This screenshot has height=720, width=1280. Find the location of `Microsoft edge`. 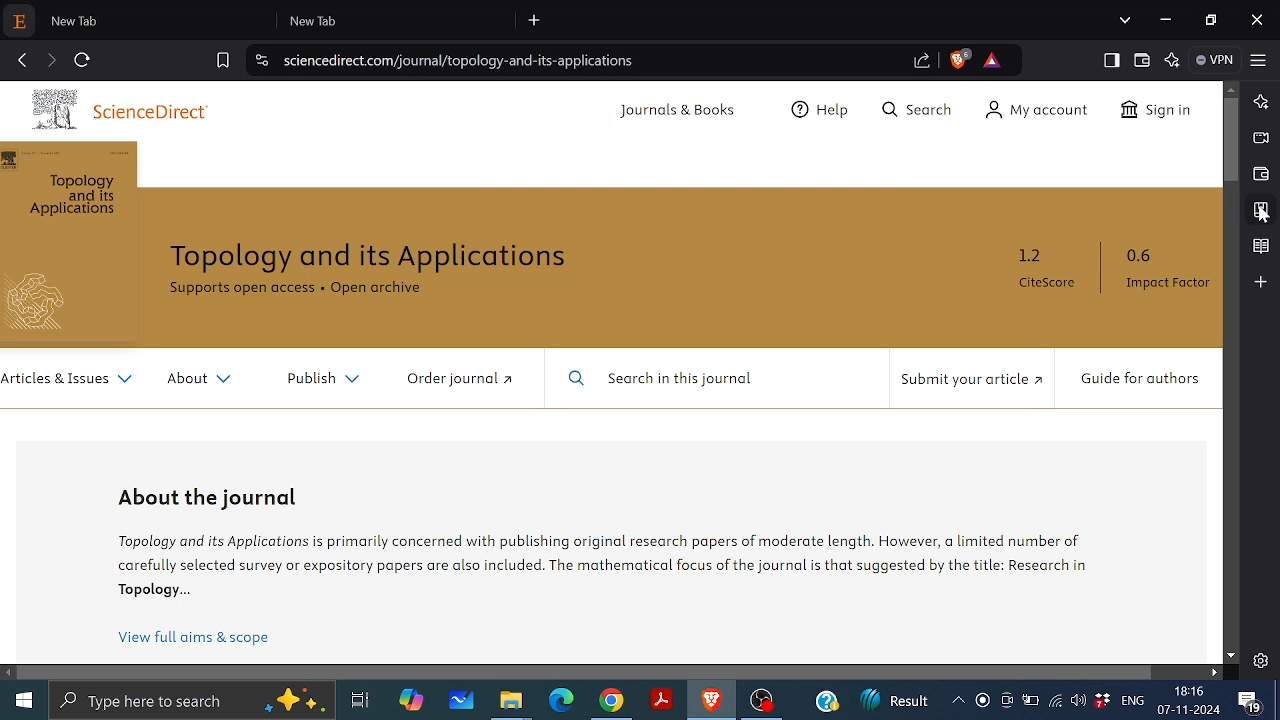

Microsoft edge is located at coordinates (561, 701).